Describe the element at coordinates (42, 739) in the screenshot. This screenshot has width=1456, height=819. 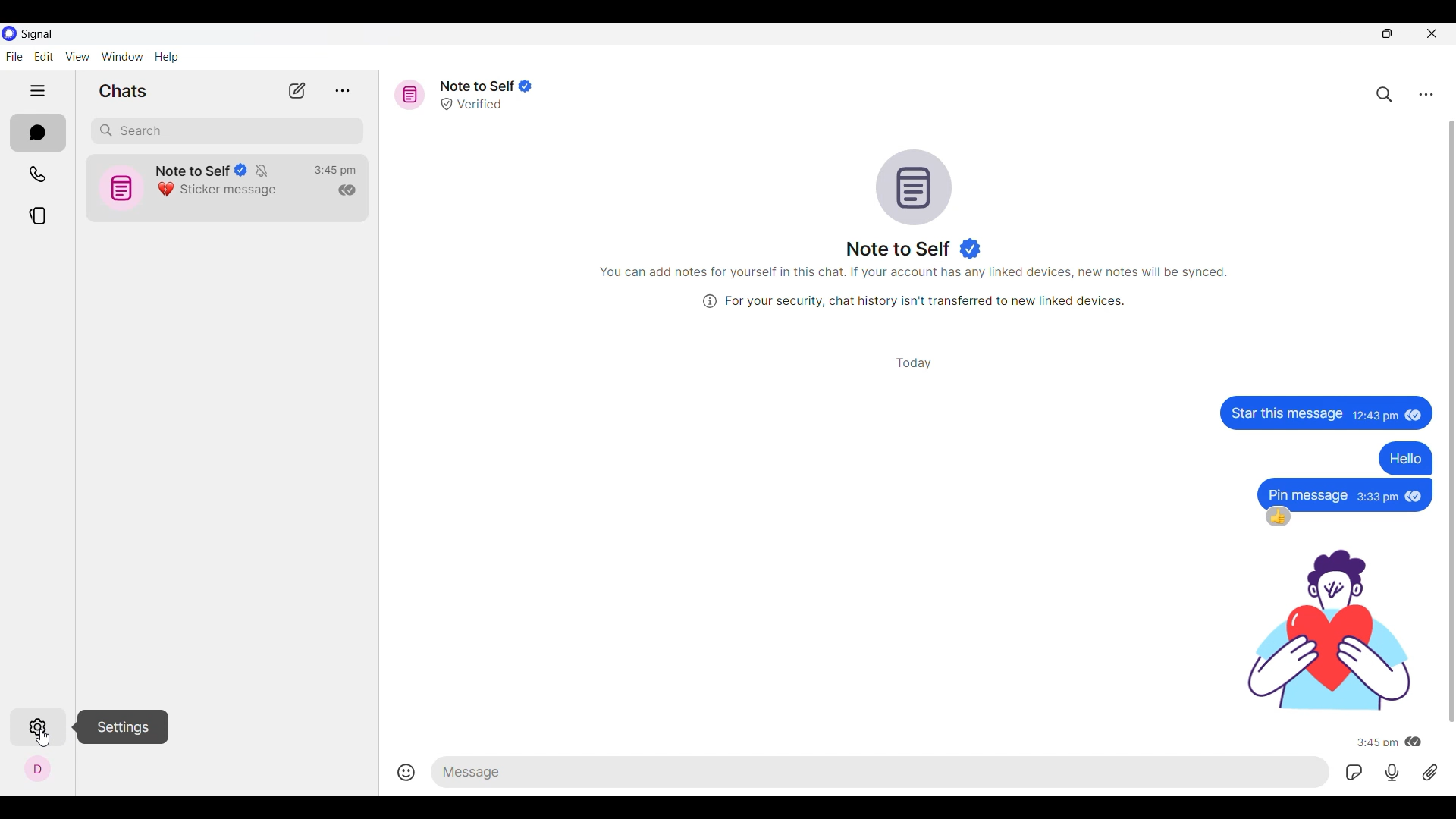
I see `cursor` at that location.